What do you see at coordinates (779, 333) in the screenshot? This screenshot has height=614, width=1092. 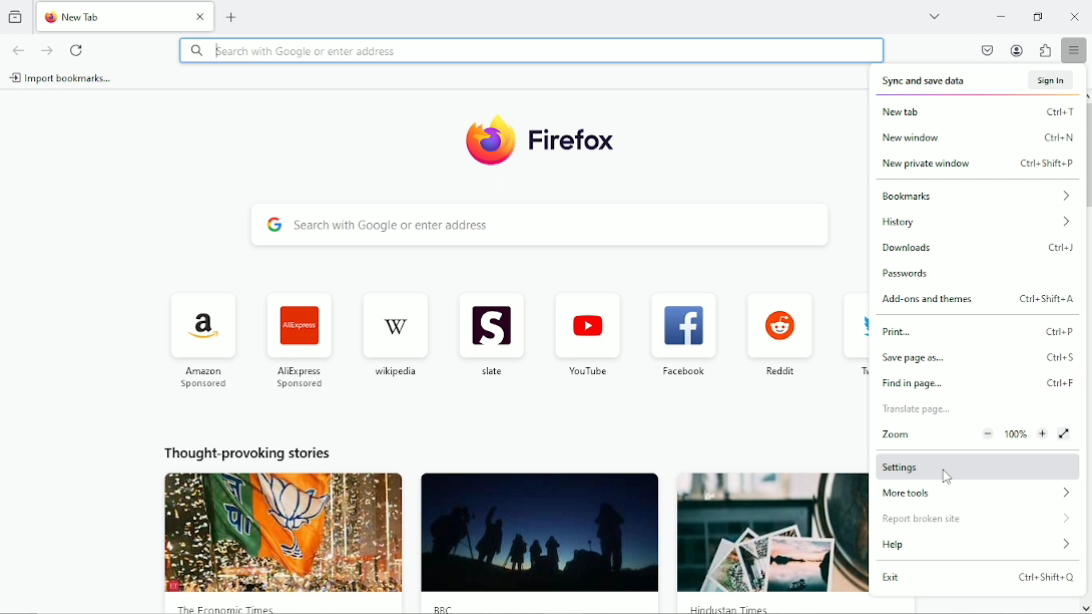 I see `reddit` at bounding box center [779, 333].